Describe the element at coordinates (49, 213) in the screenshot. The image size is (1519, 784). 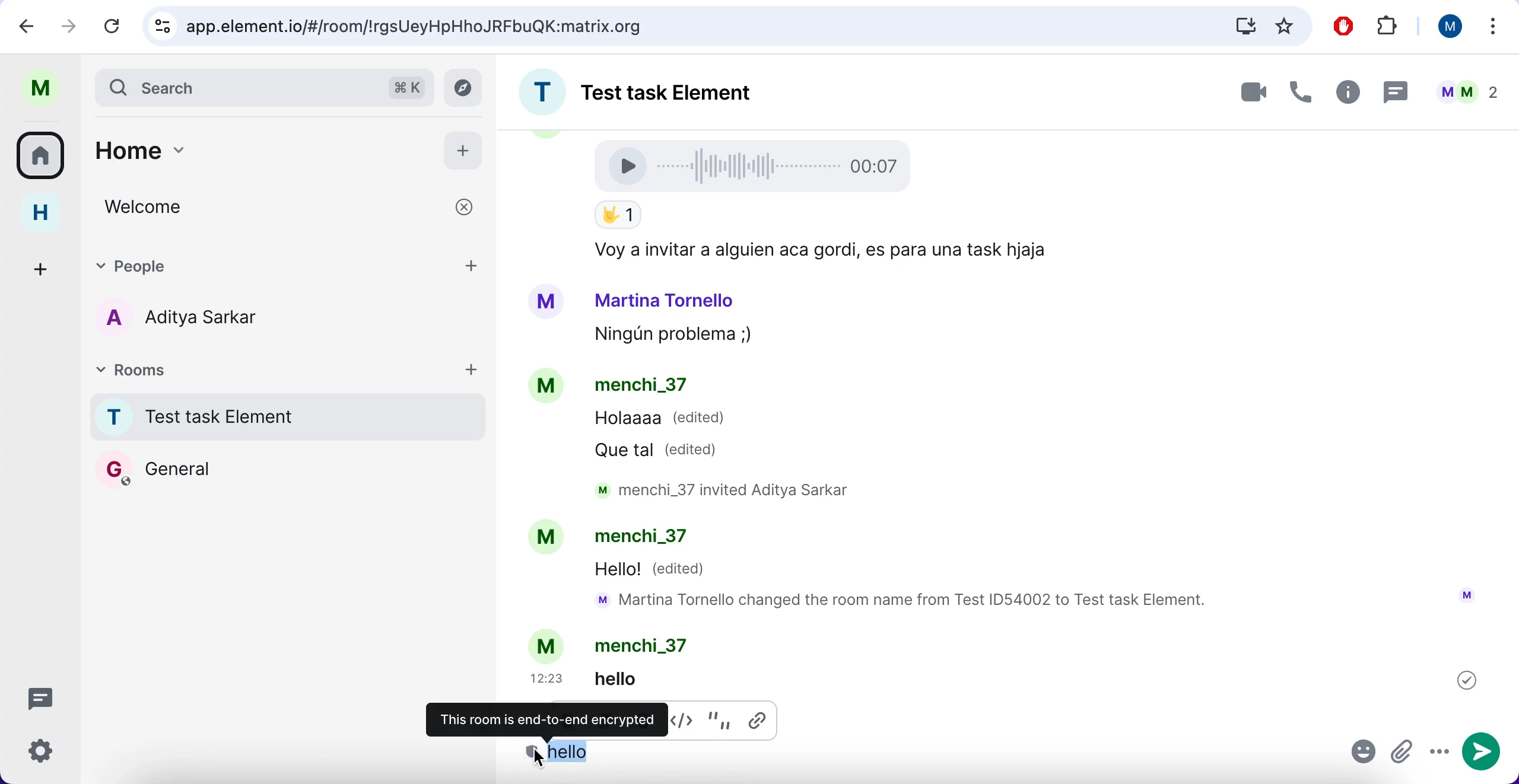
I see `home` at that location.